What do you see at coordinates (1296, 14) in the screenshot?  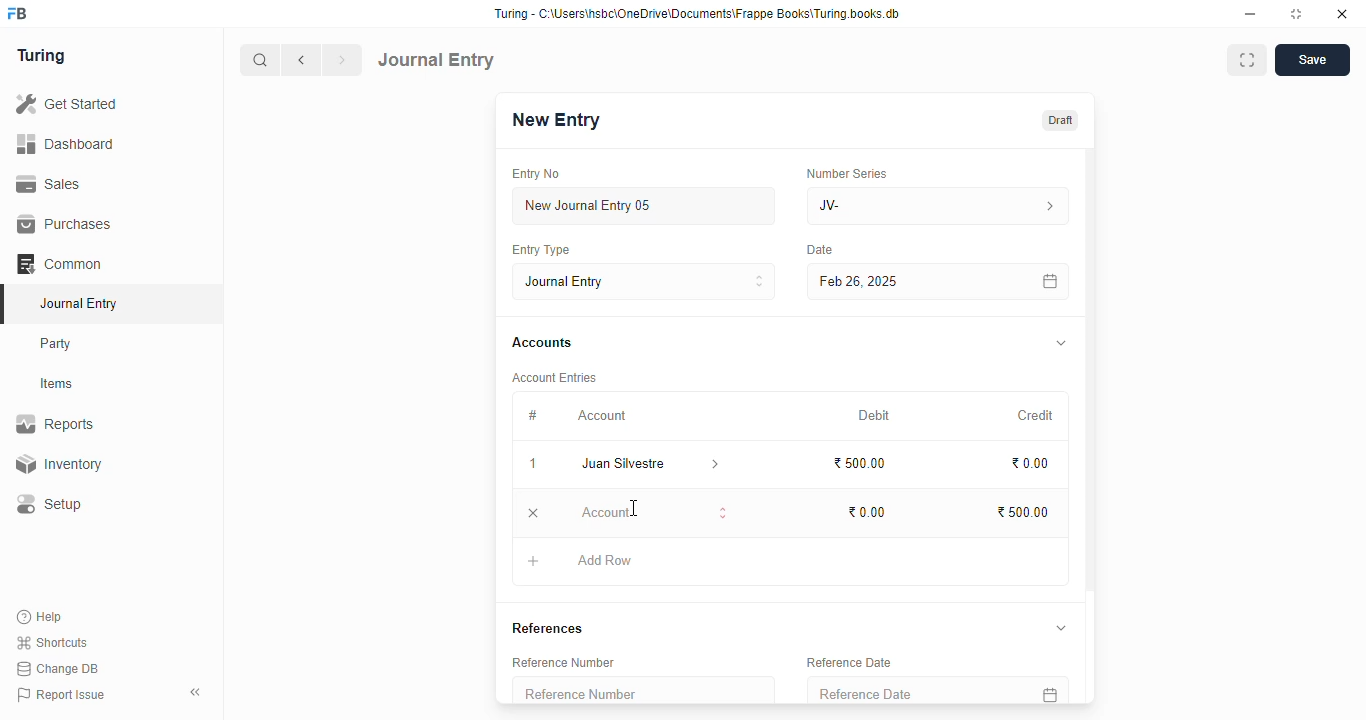 I see `toggle maximize` at bounding box center [1296, 14].